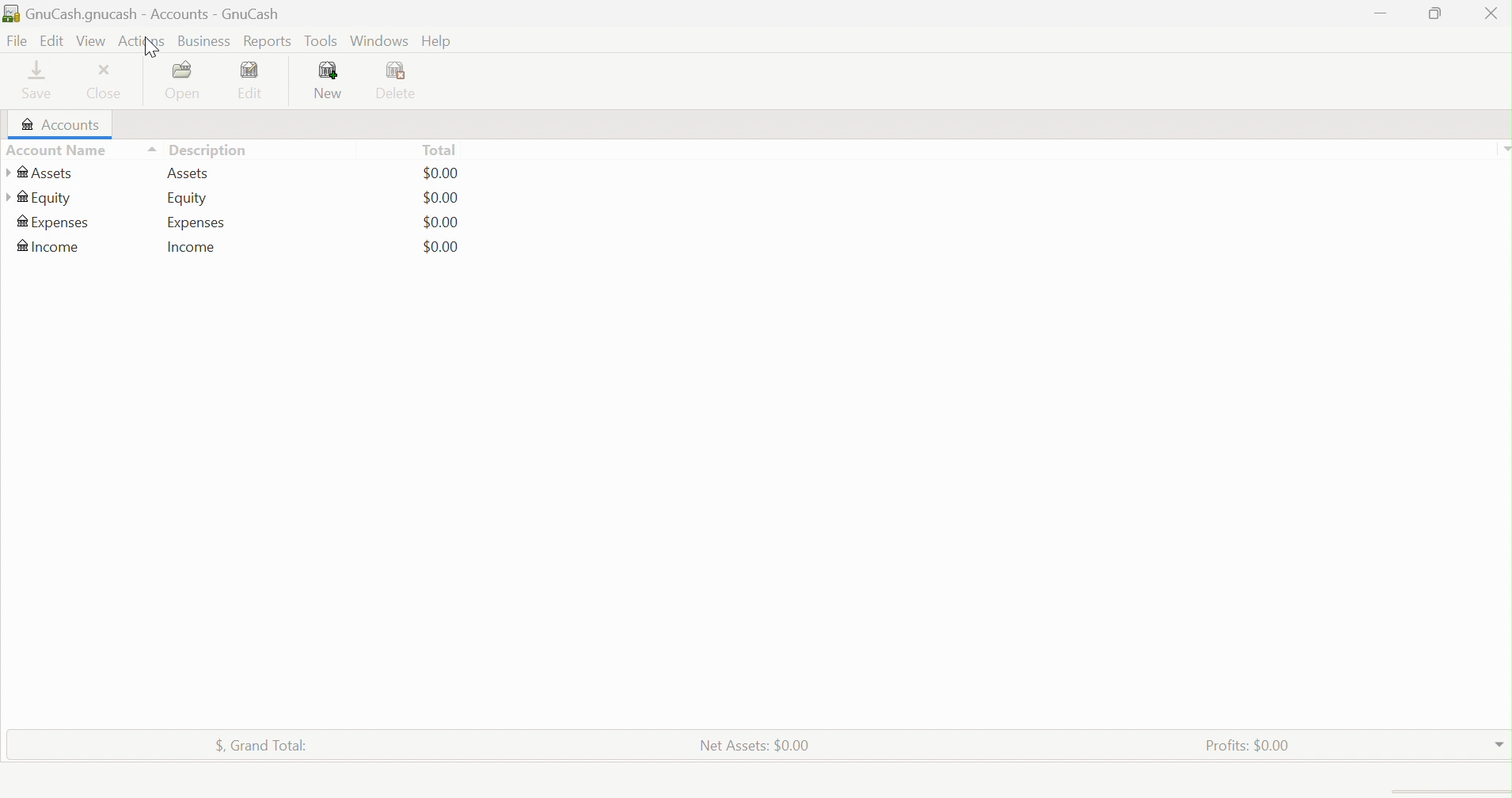 Image resolution: width=1512 pixels, height=798 pixels. I want to click on Restore Down, so click(1432, 13).